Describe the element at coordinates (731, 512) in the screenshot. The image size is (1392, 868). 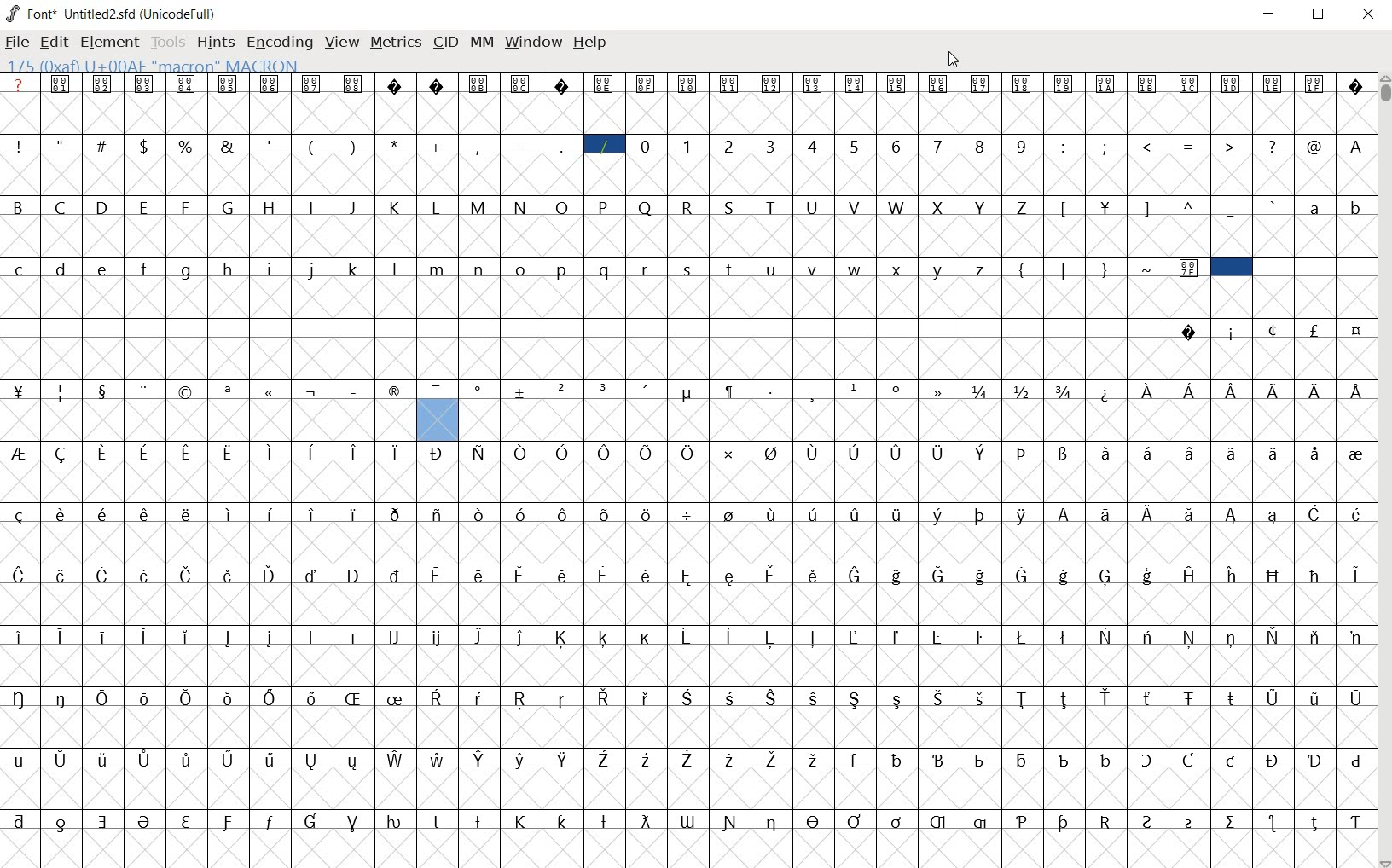
I see `Symbol` at that location.